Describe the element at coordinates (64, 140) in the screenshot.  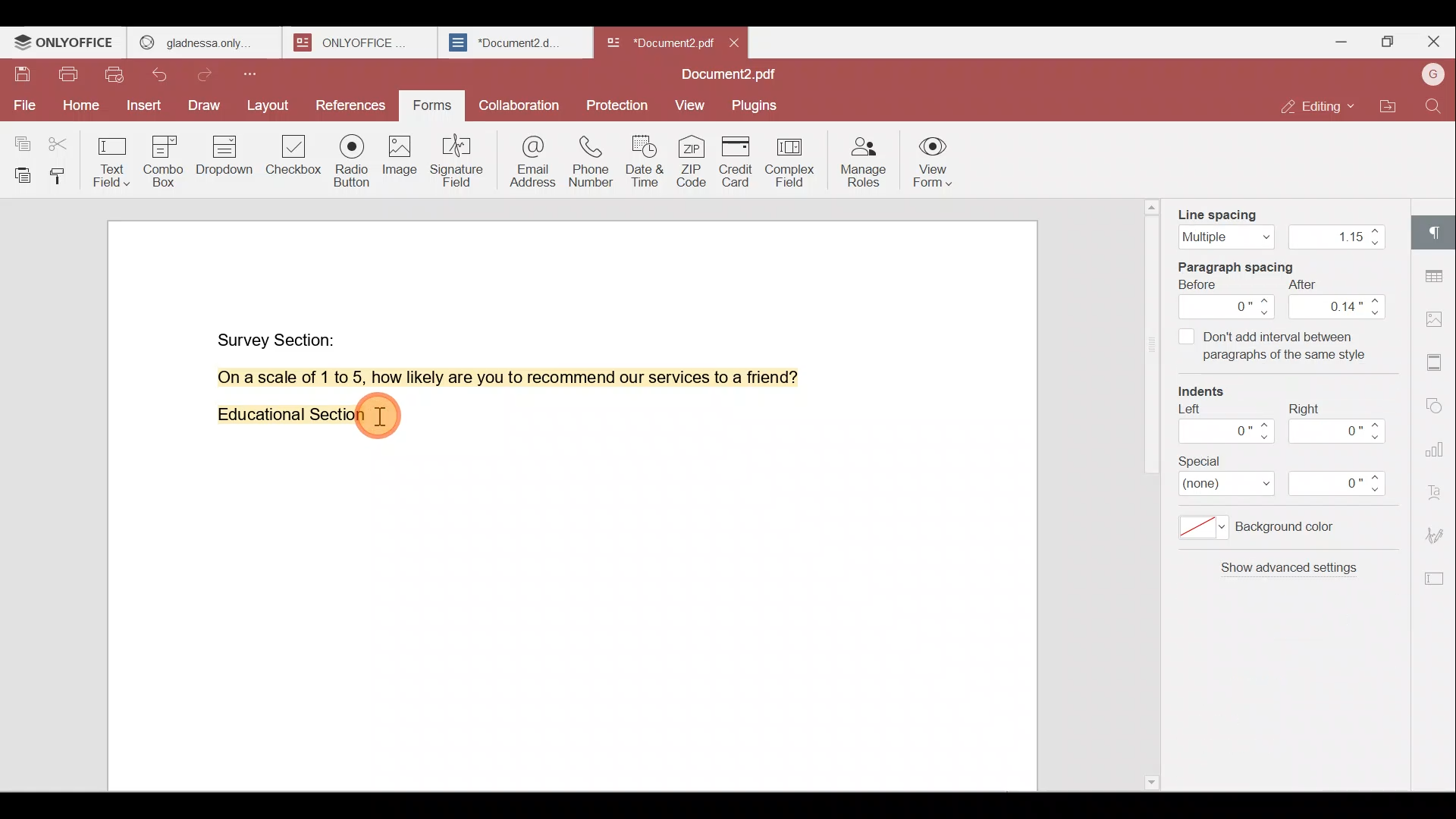
I see `Cut` at that location.